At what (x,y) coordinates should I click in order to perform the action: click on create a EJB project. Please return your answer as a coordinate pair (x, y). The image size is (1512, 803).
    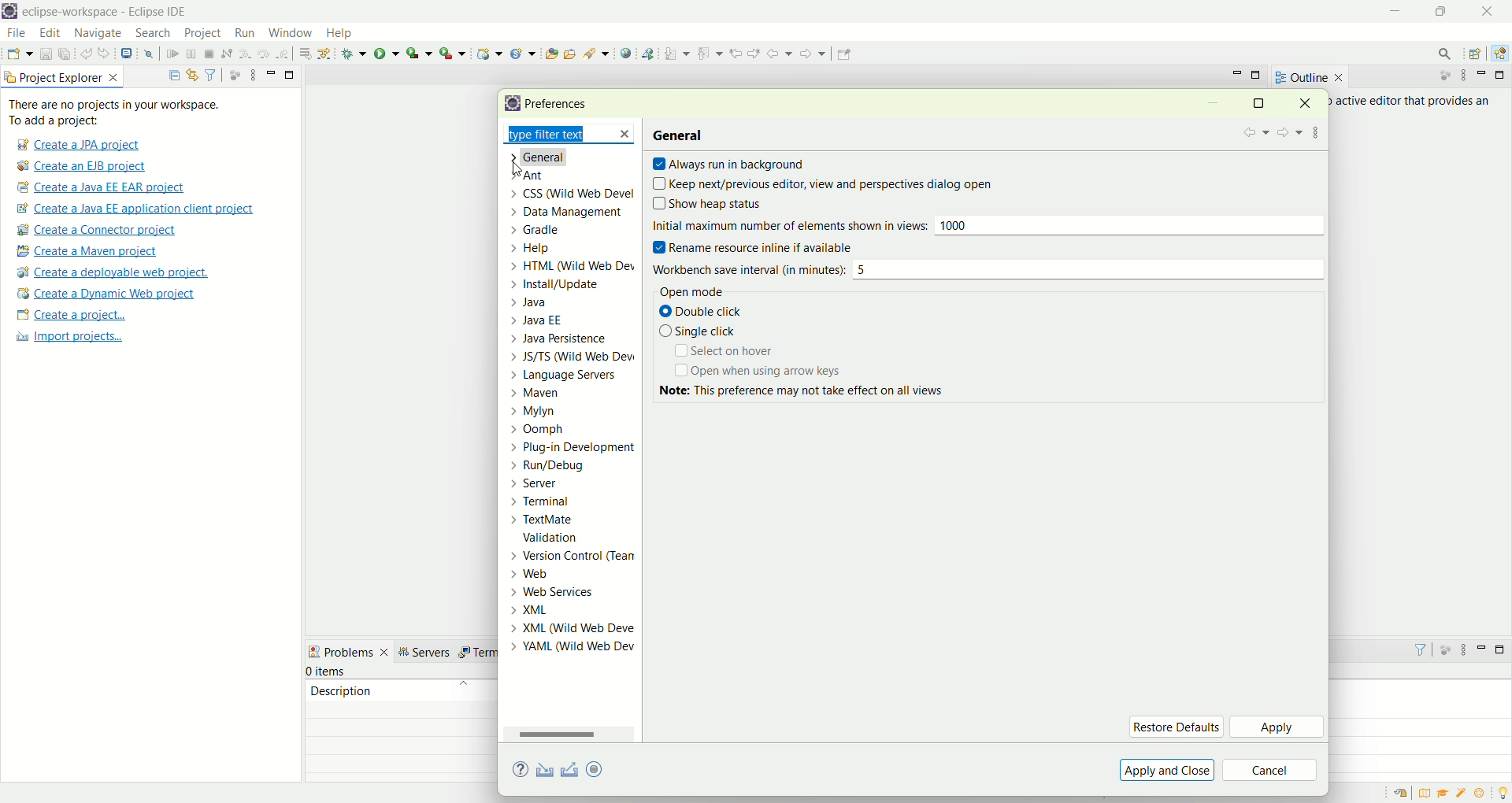
    Looking at the image, I should click on (83, 167).